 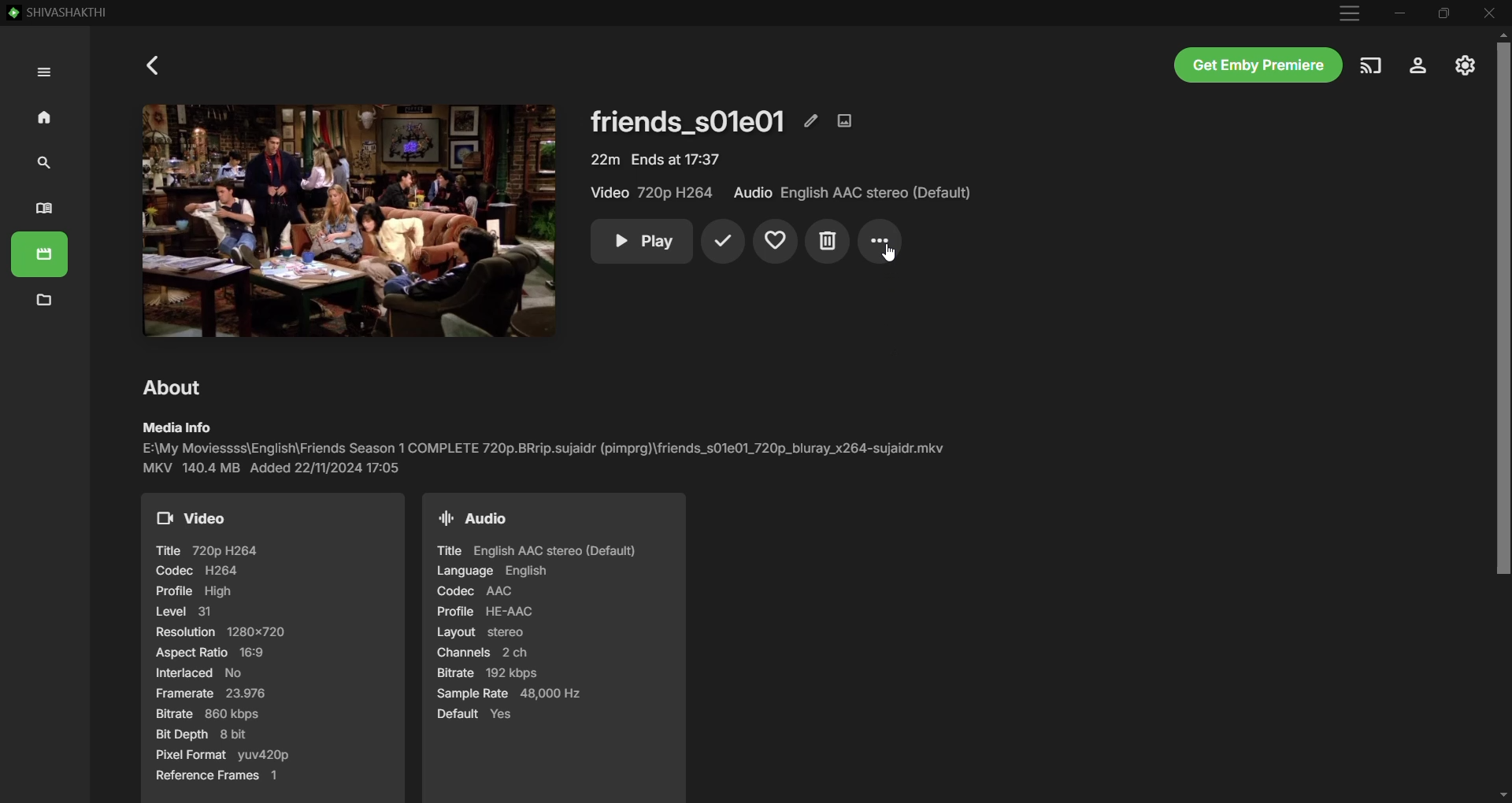 What do you see at coordinates (776, 242) in the screenshot?
I see `Add to Favorites` at bounding box center [776, 242].